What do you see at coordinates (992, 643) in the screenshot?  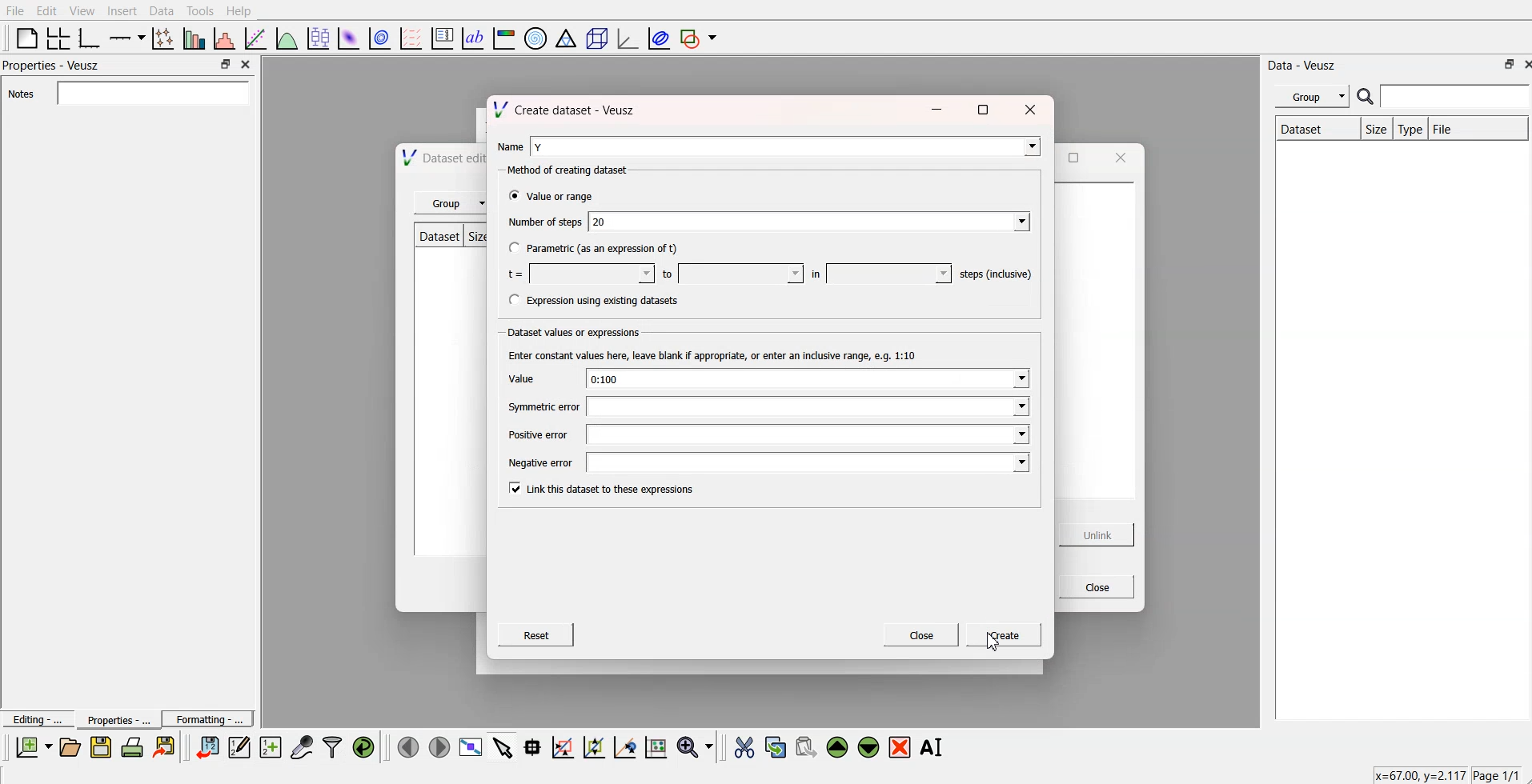 I see `cursor` at bounding box center [992, 643].